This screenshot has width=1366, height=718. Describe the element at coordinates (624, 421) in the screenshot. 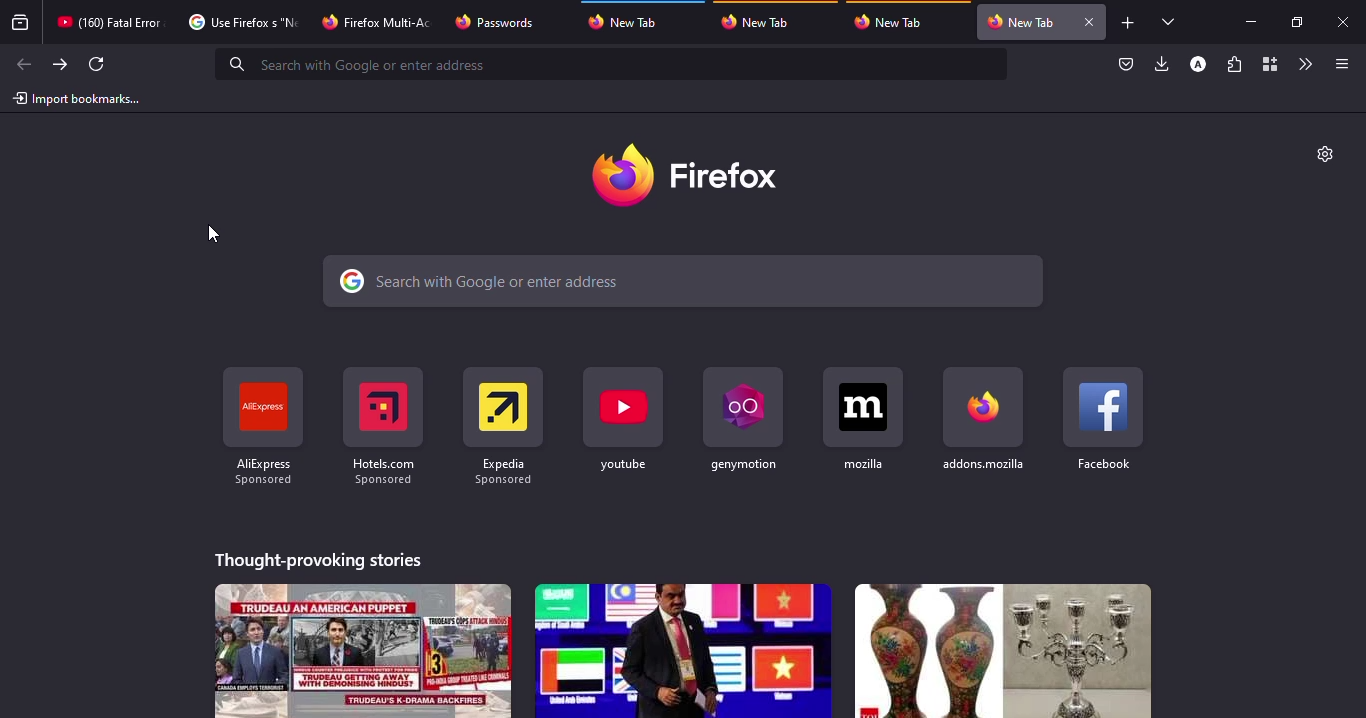

I see `shortcuts` at that location.